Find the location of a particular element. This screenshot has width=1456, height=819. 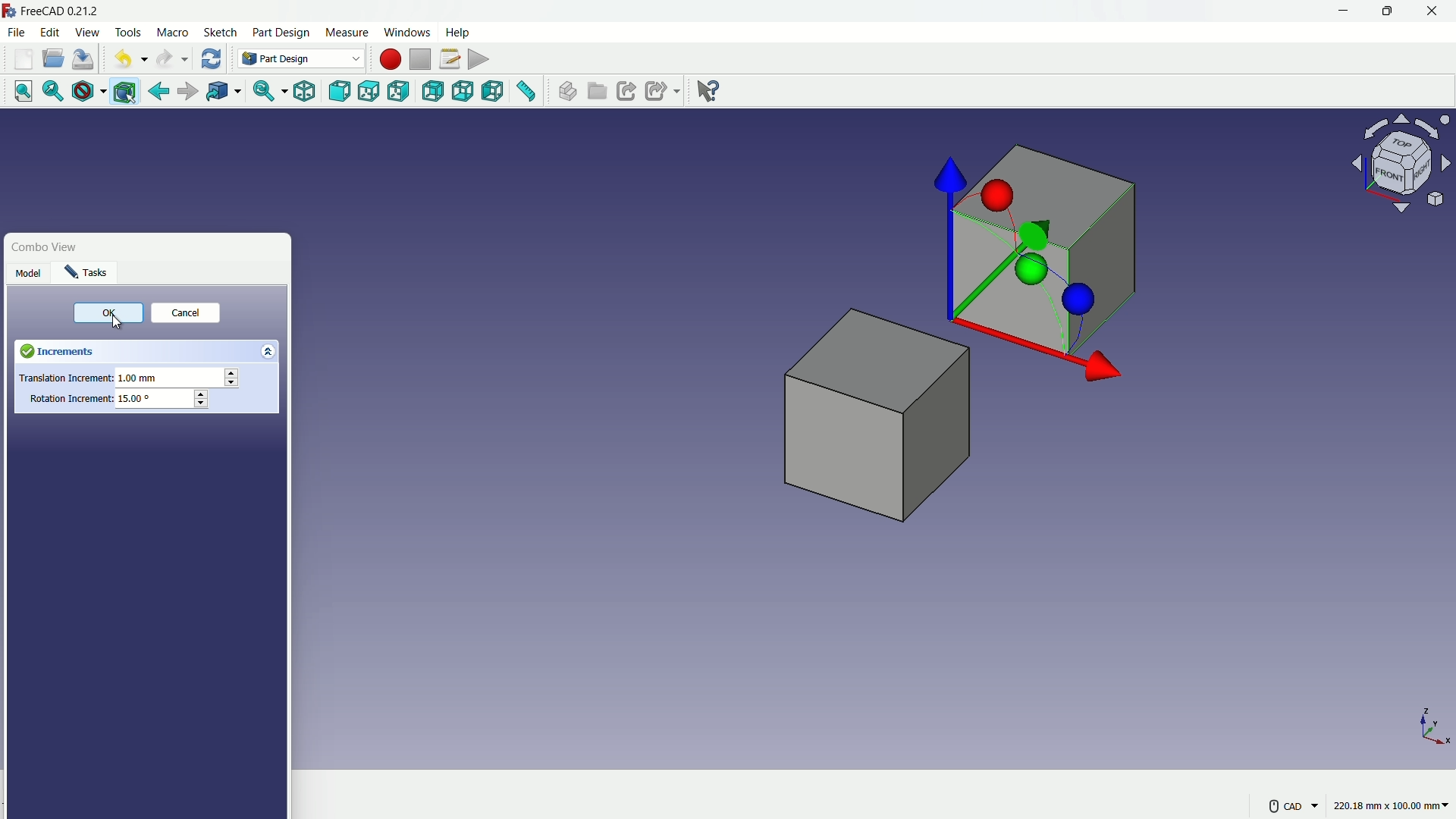

preset viewpoint is located at coordinates (1406, 171).